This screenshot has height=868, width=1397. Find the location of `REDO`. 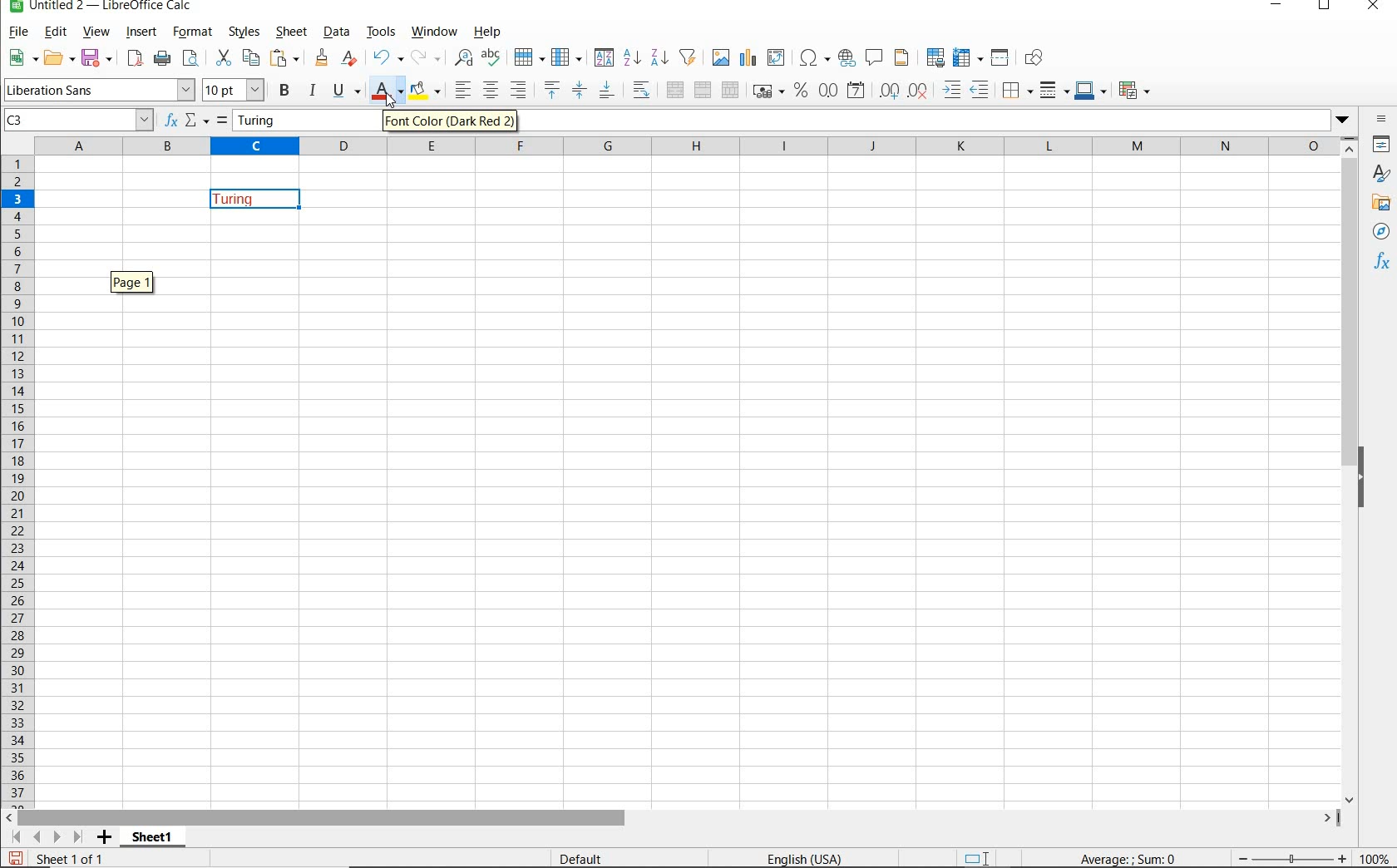

REDO is located at coordinates (427, 60).